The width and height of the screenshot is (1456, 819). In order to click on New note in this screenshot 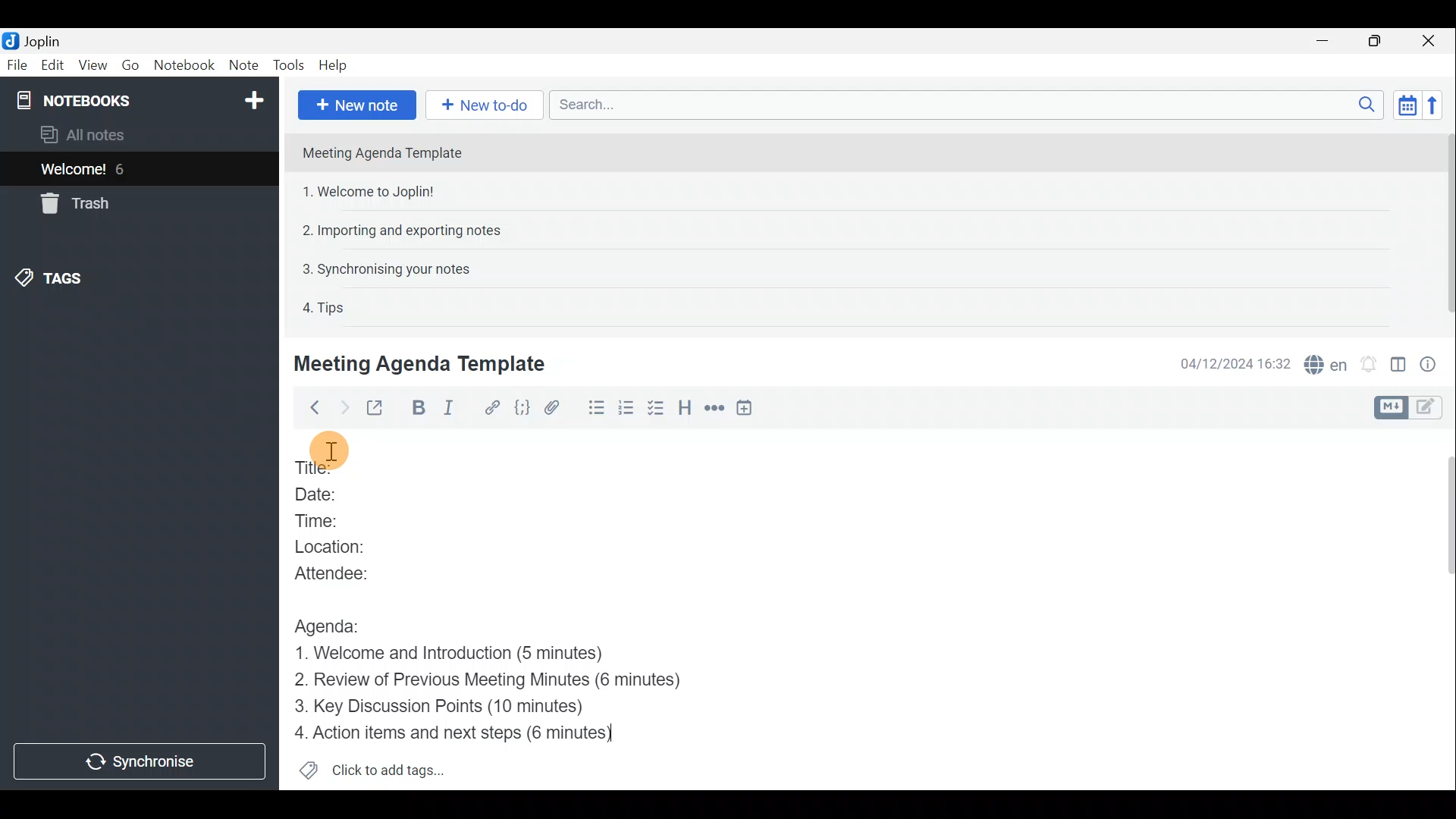, I will do `click(357, 105)`.